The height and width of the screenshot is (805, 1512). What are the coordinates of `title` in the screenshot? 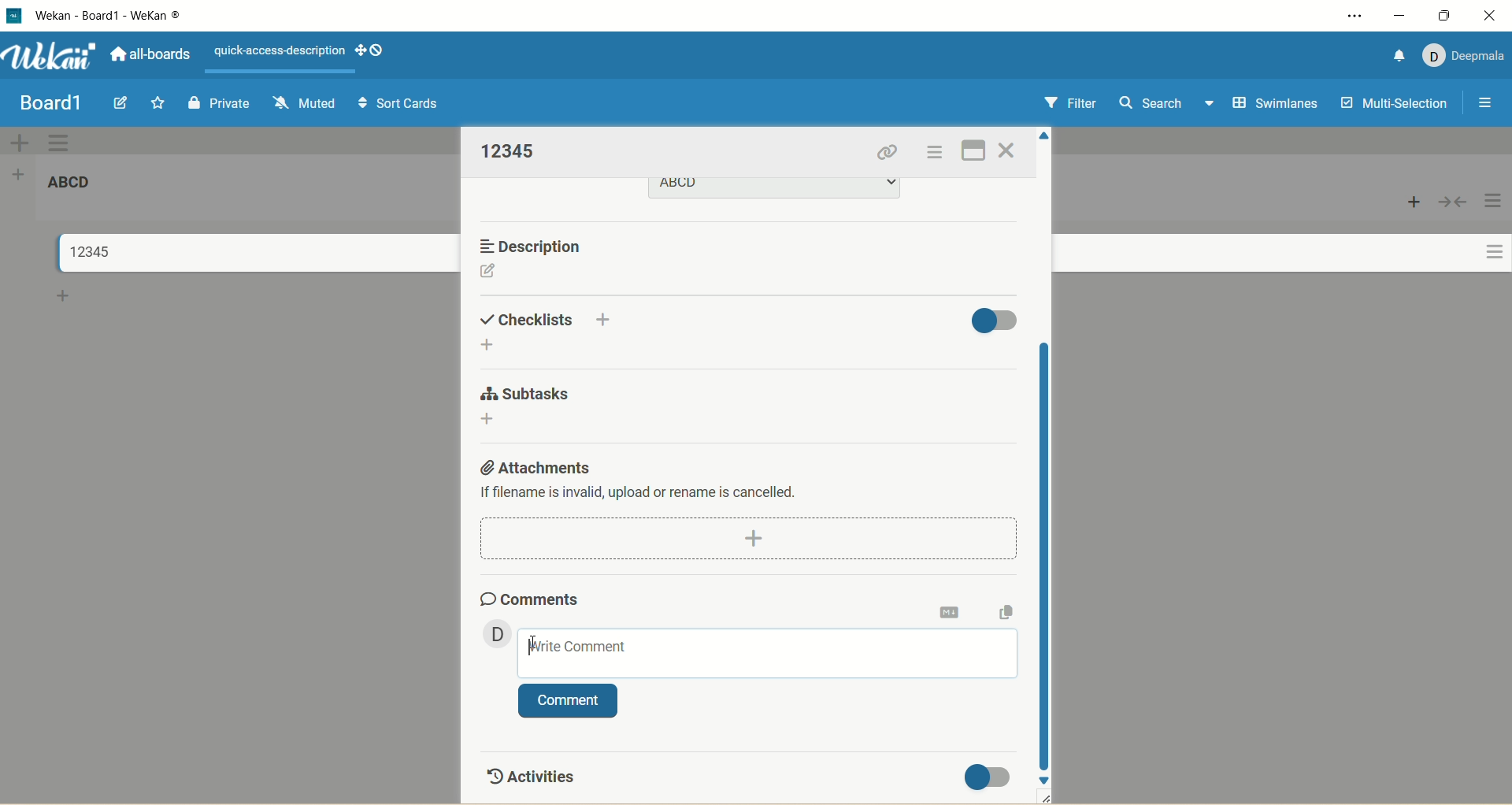 It's located at (50, 103).